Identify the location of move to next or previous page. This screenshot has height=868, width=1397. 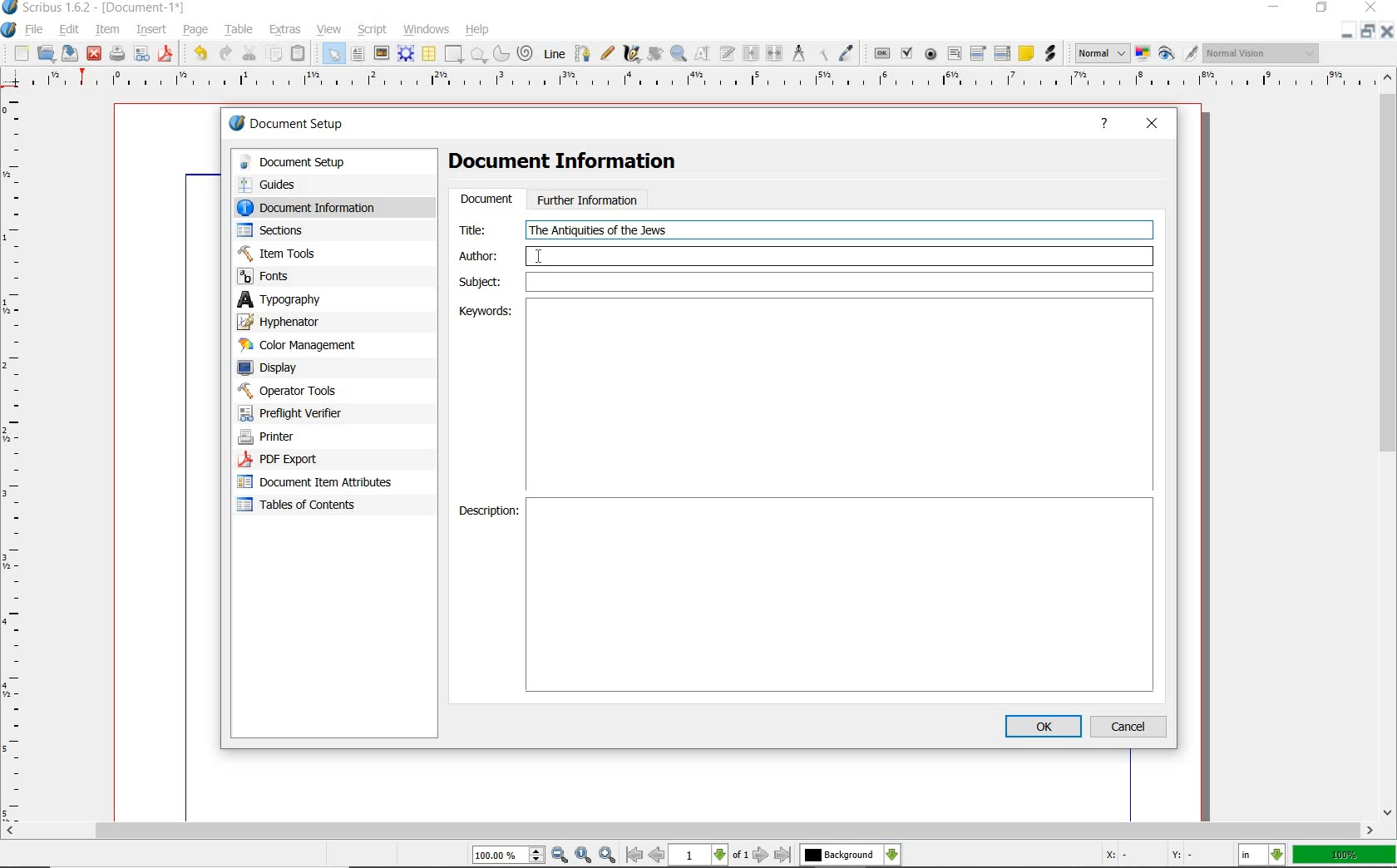
(710, 856).